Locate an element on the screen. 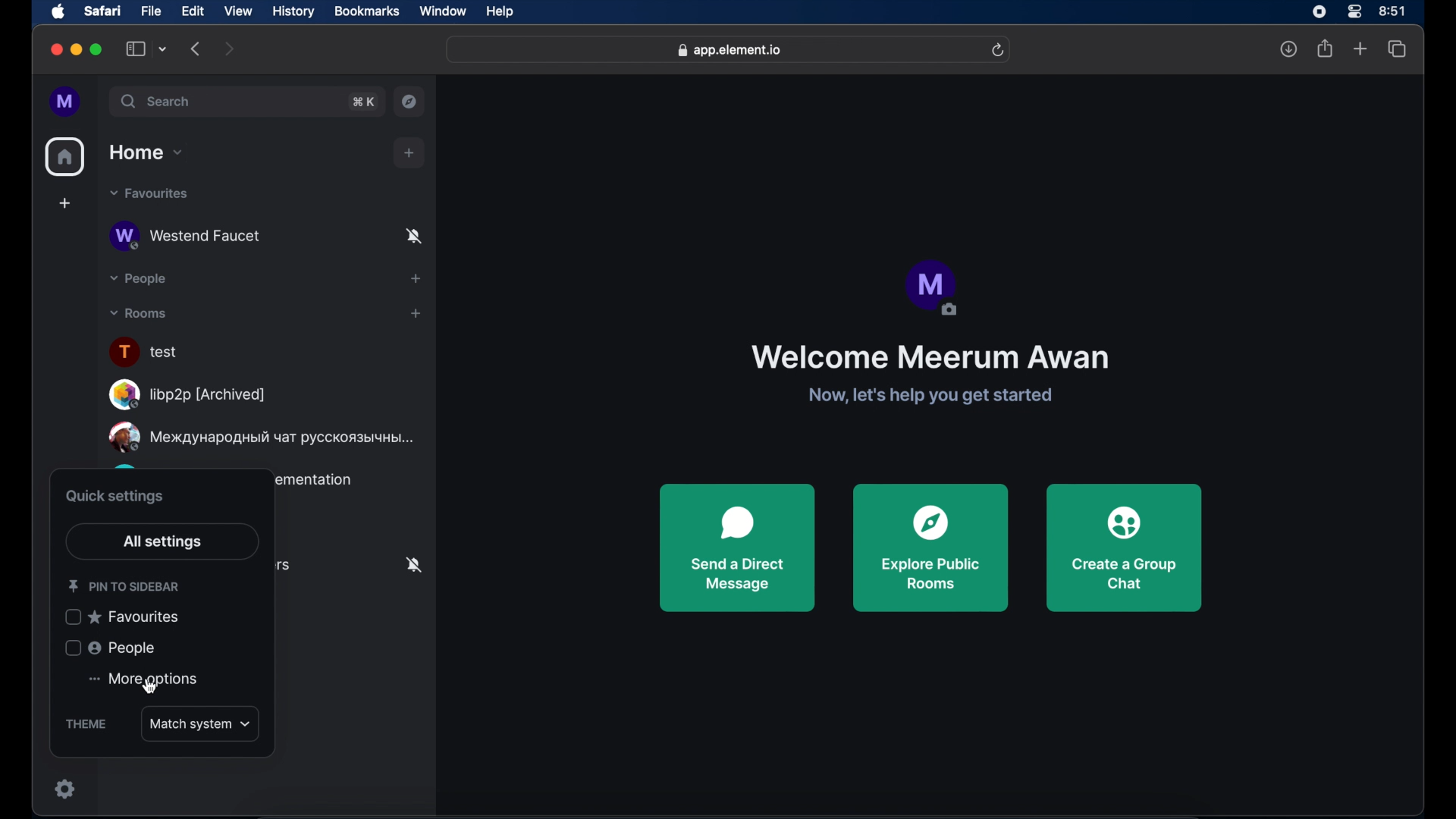  rooms dropdown is located at coordinates (139, 314).